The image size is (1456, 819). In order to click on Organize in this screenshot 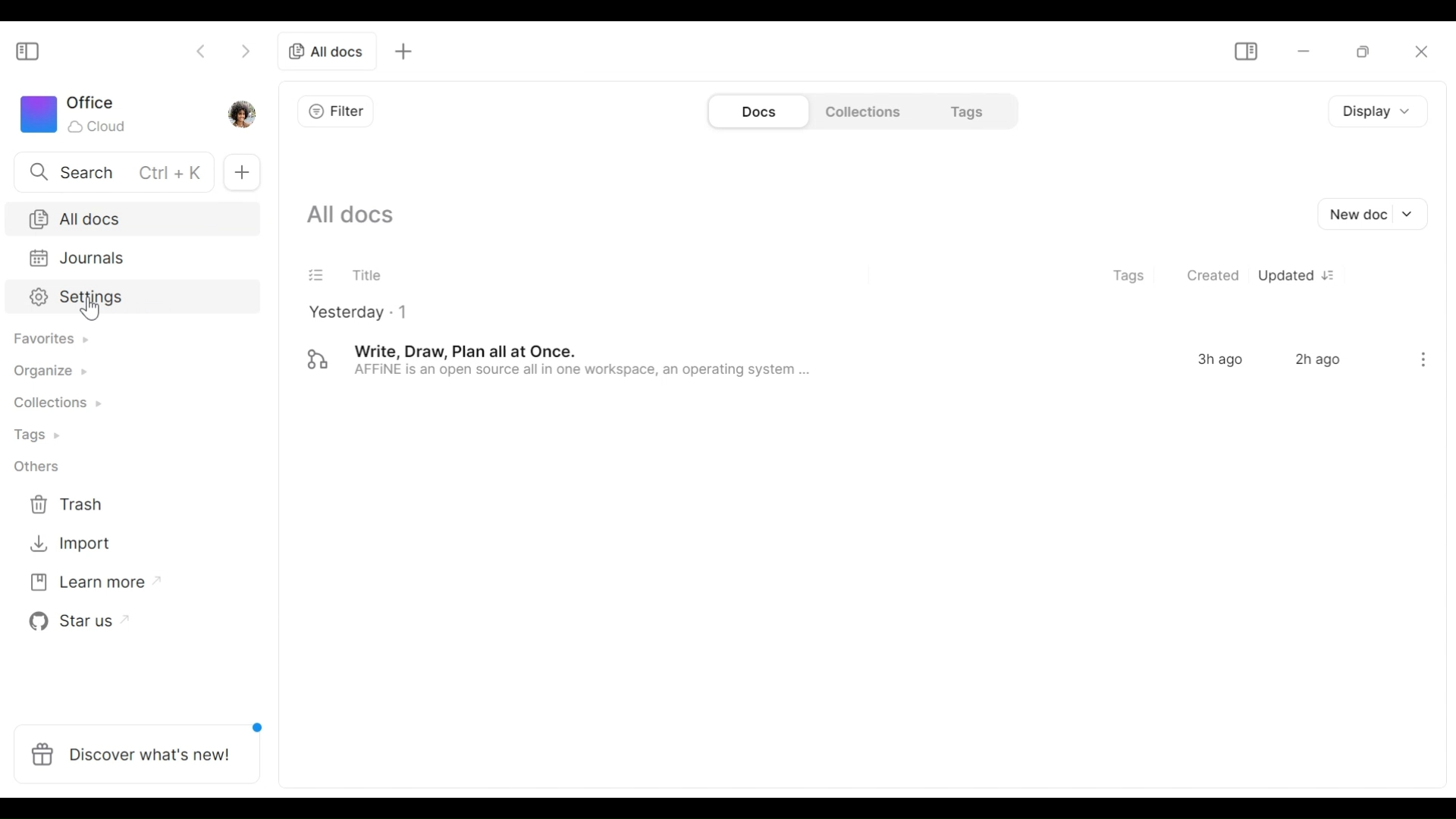, I will do `click(42, 371)`.